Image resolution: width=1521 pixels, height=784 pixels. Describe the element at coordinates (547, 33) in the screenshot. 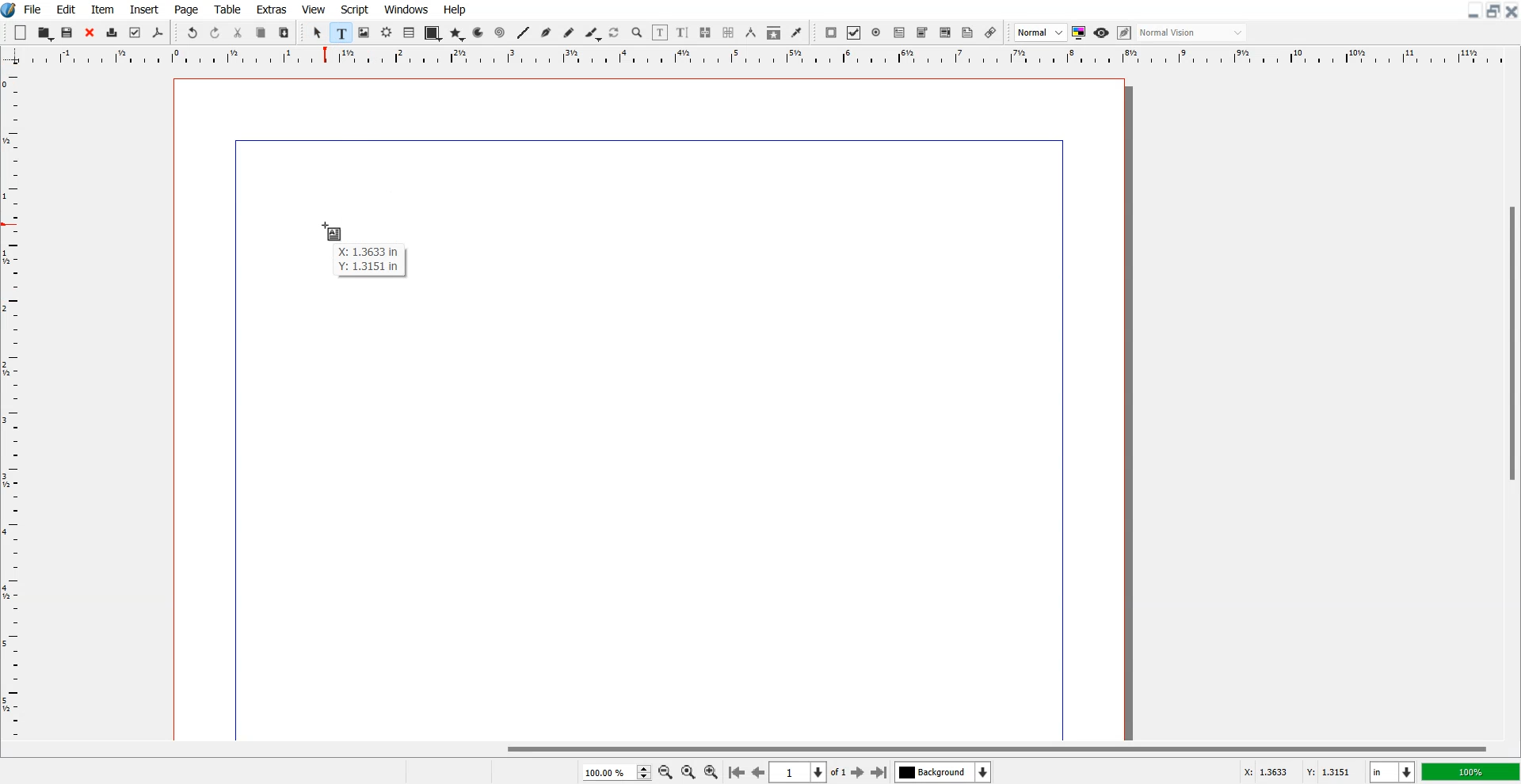

I see `Bezier curve` at that location.